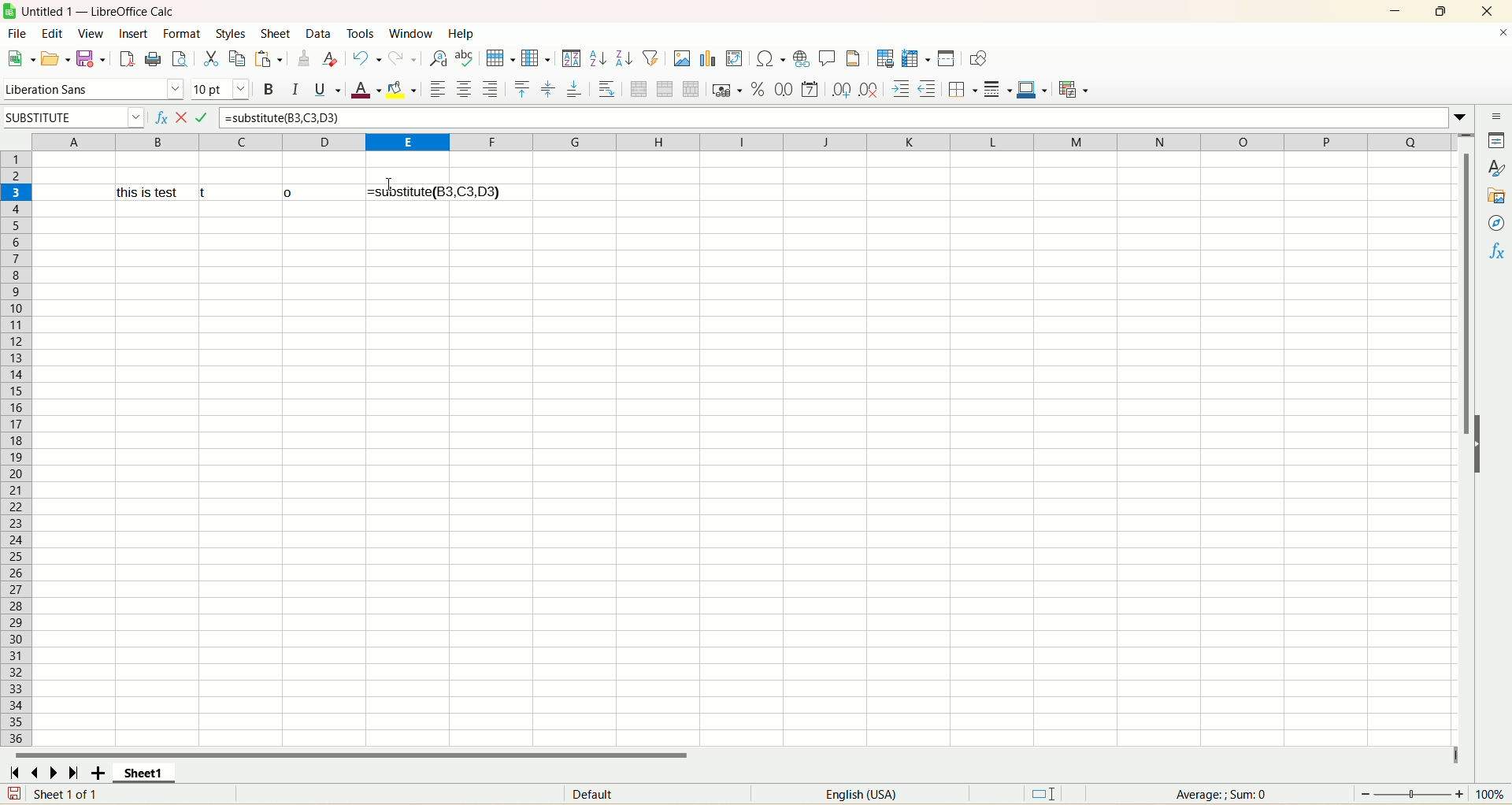 This screenshot has width=1512, height=805. I want to click on expand formulabar, so click(1462, 120).